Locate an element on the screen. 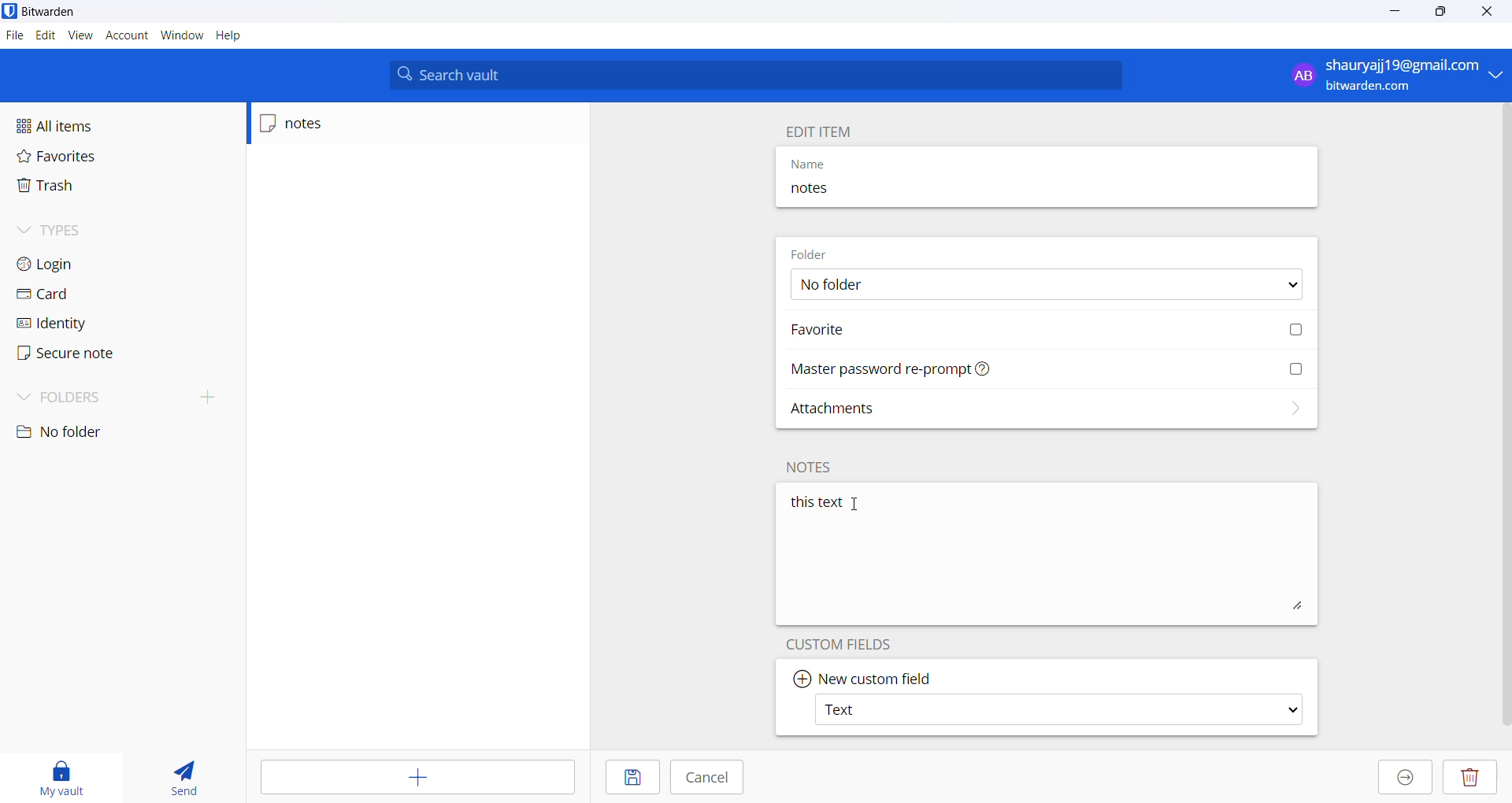  My vault  is located at coordinates (58, 775).